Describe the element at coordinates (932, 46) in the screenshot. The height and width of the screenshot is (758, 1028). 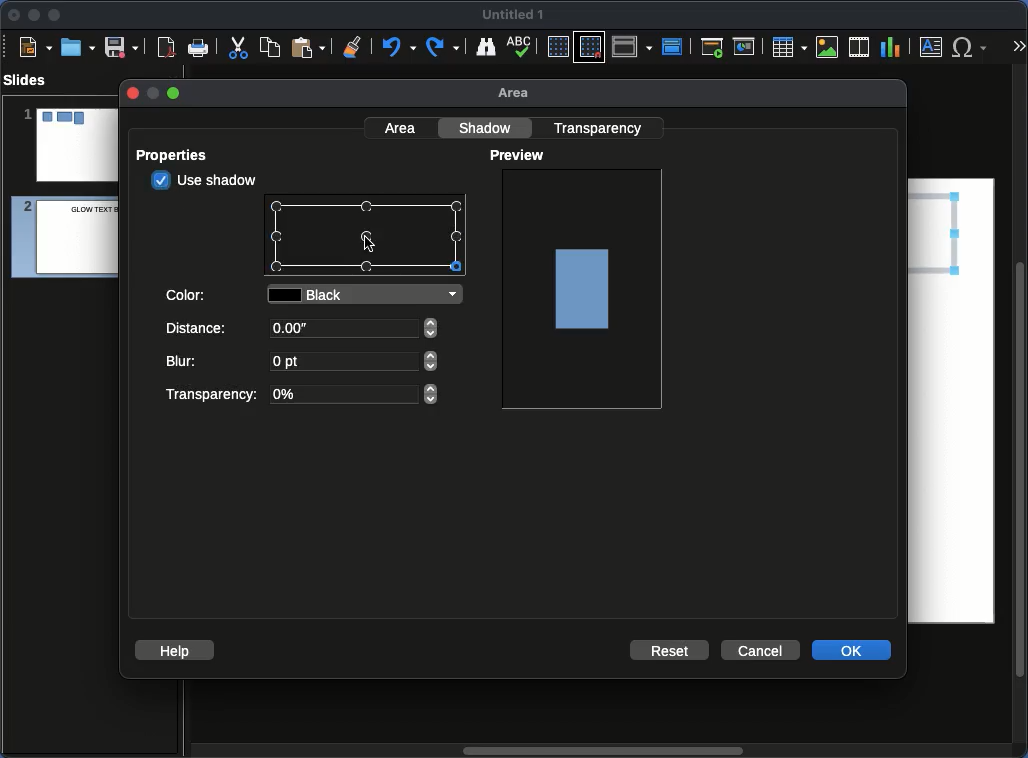
I see `Textbox` at that location.